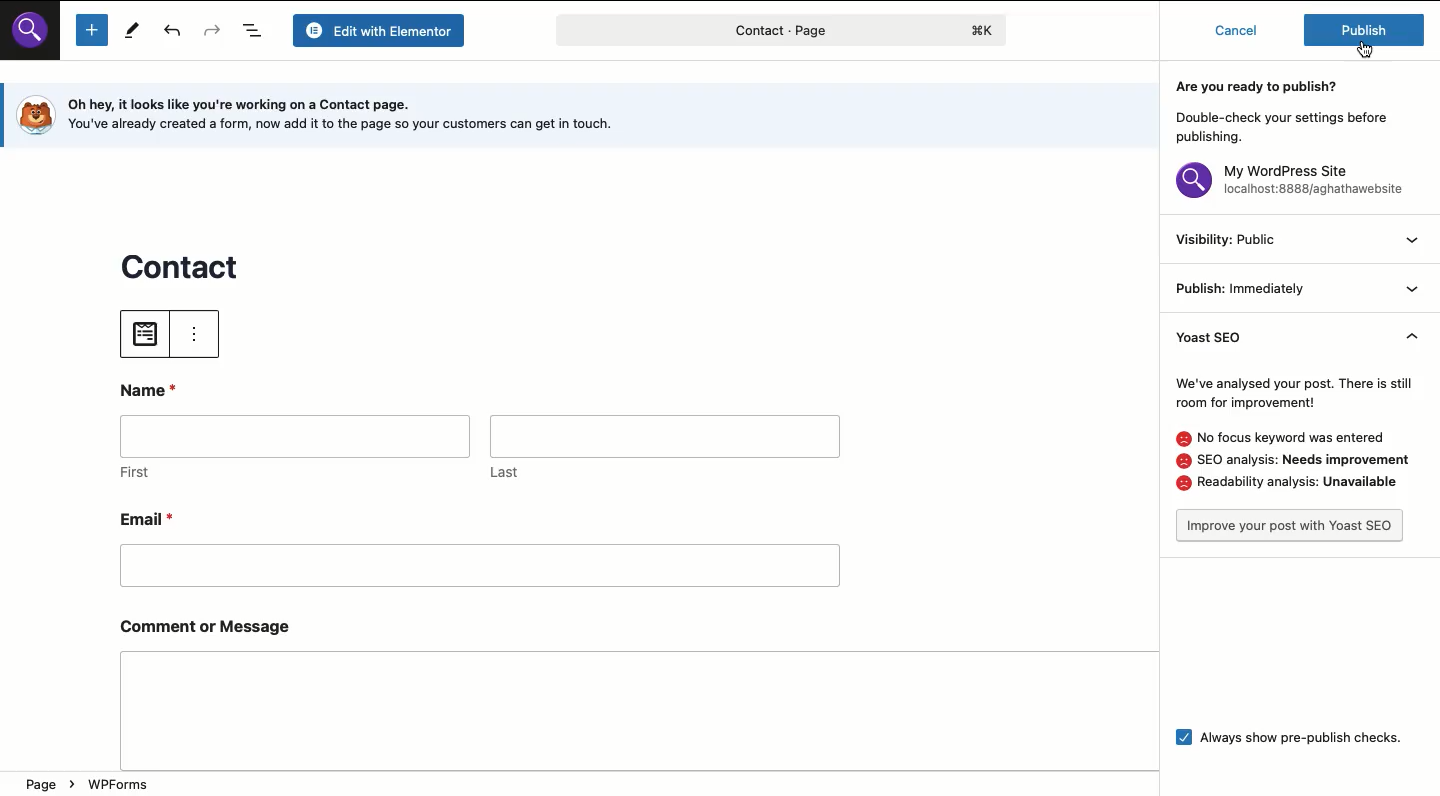 This screenshot has height=796, width=1440. I want to click on Always show pre-publish checks, so click(1303, 737).